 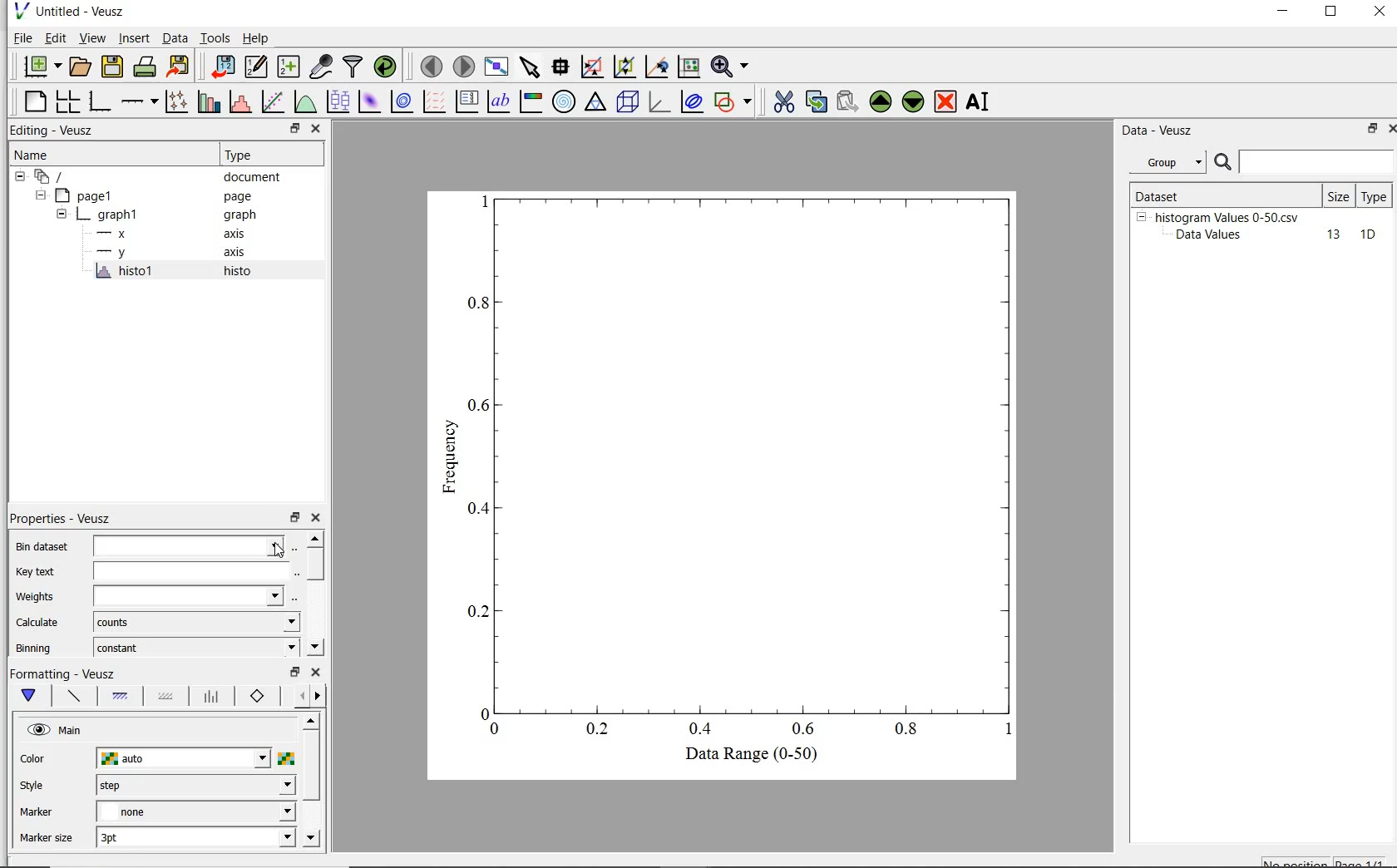 I want to click on search for dataset names, so click(x=1317, y=162).